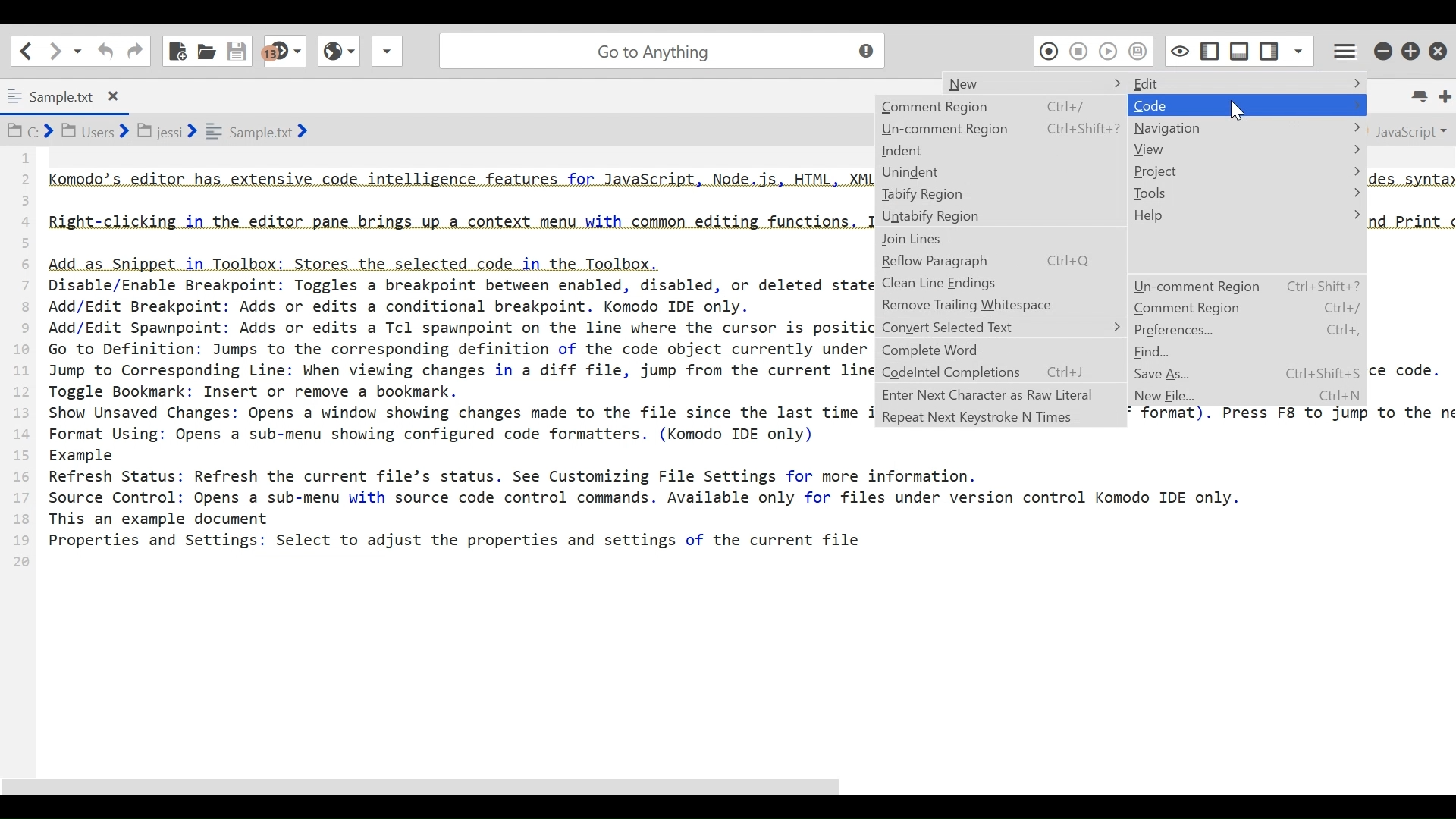 This screenshot has height=819, width=1456. Describe the element at coordinates (1382, 49) in the screenshot. I see `minimize` at that location.